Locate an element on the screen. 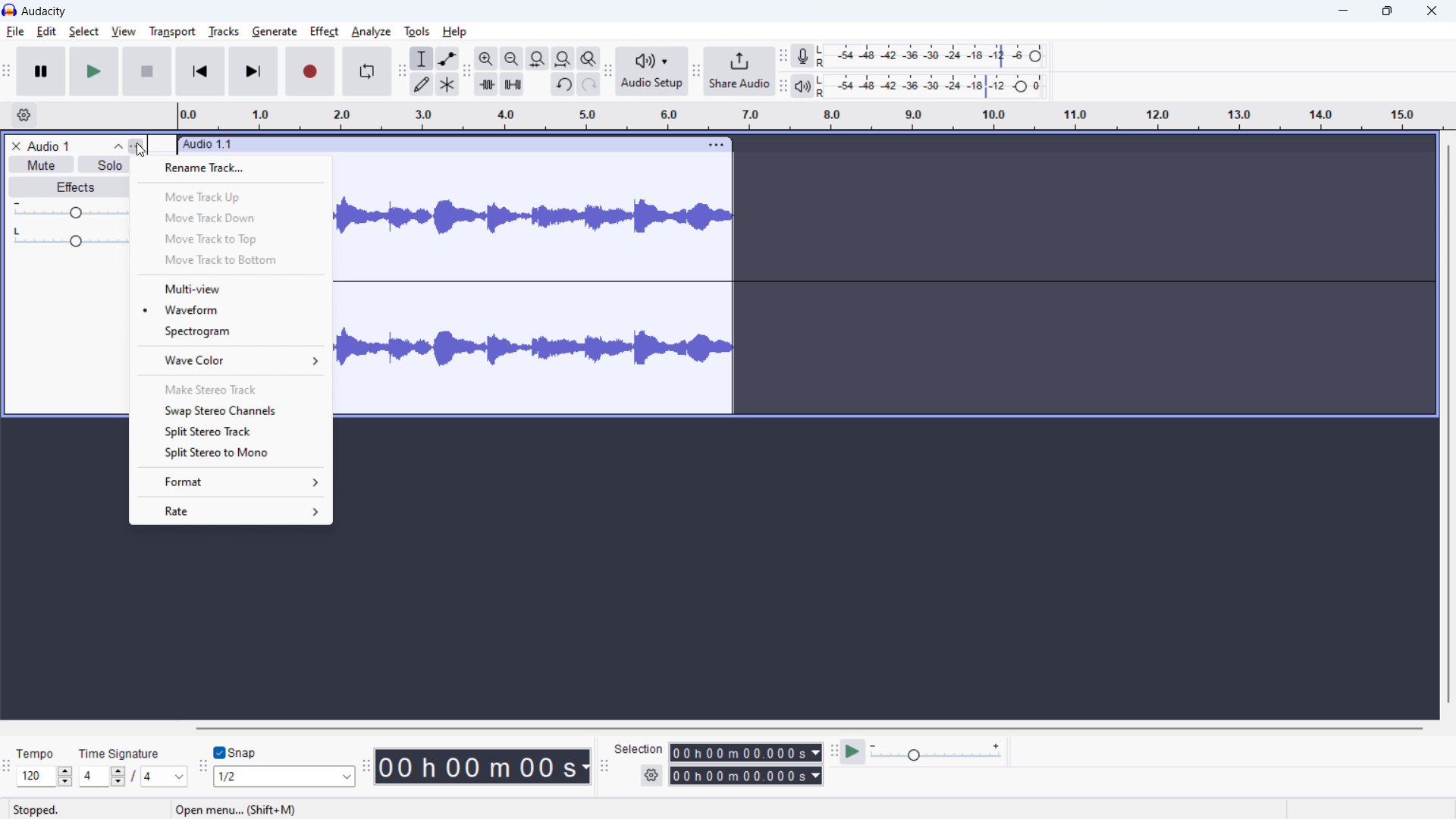 This screenshot has height=819, width=1456. multi tool is located at coordinates (447, 84).